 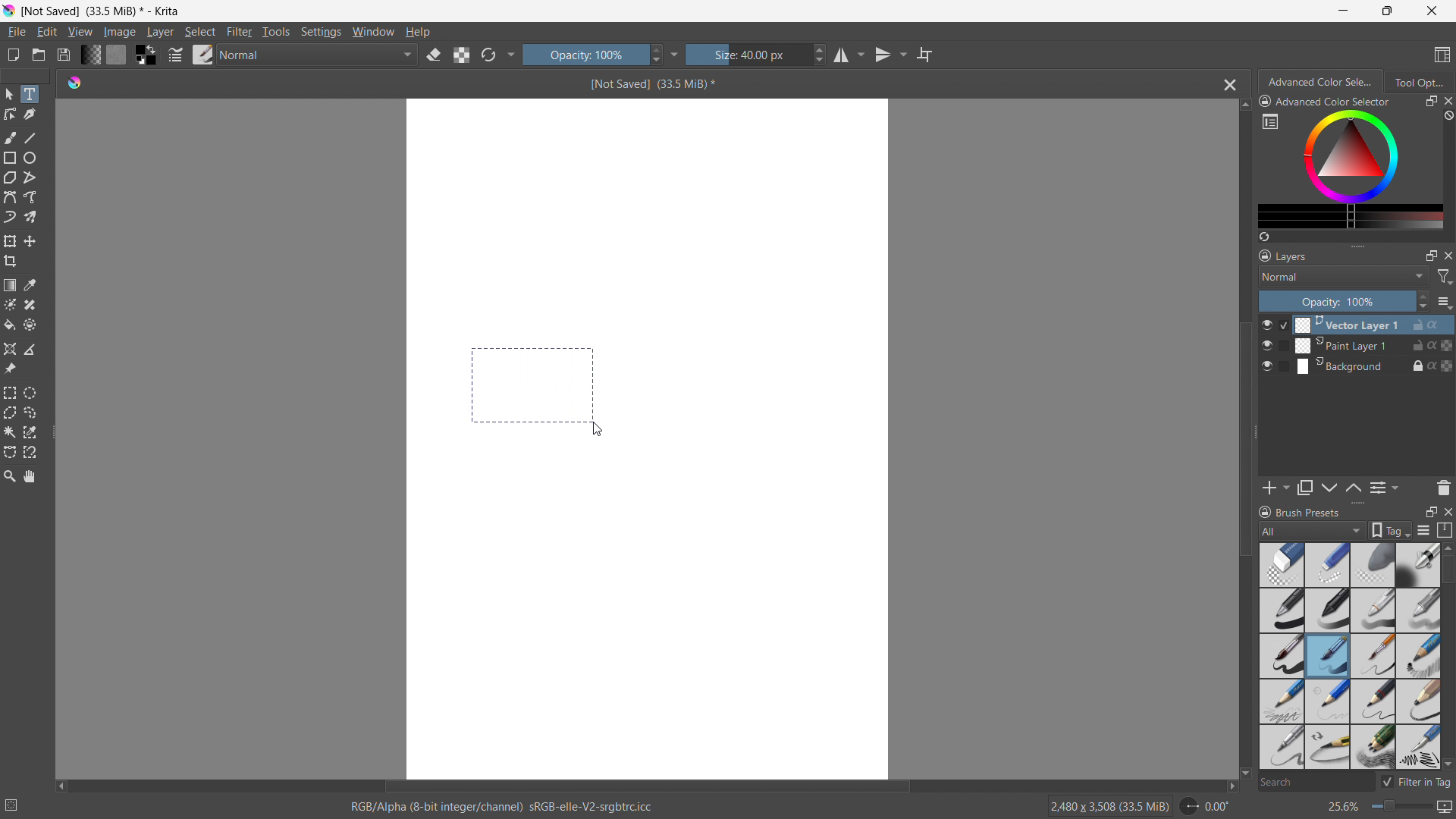 I want to click on fill a contiguous area of color with a color, so click(x=9, y=325).